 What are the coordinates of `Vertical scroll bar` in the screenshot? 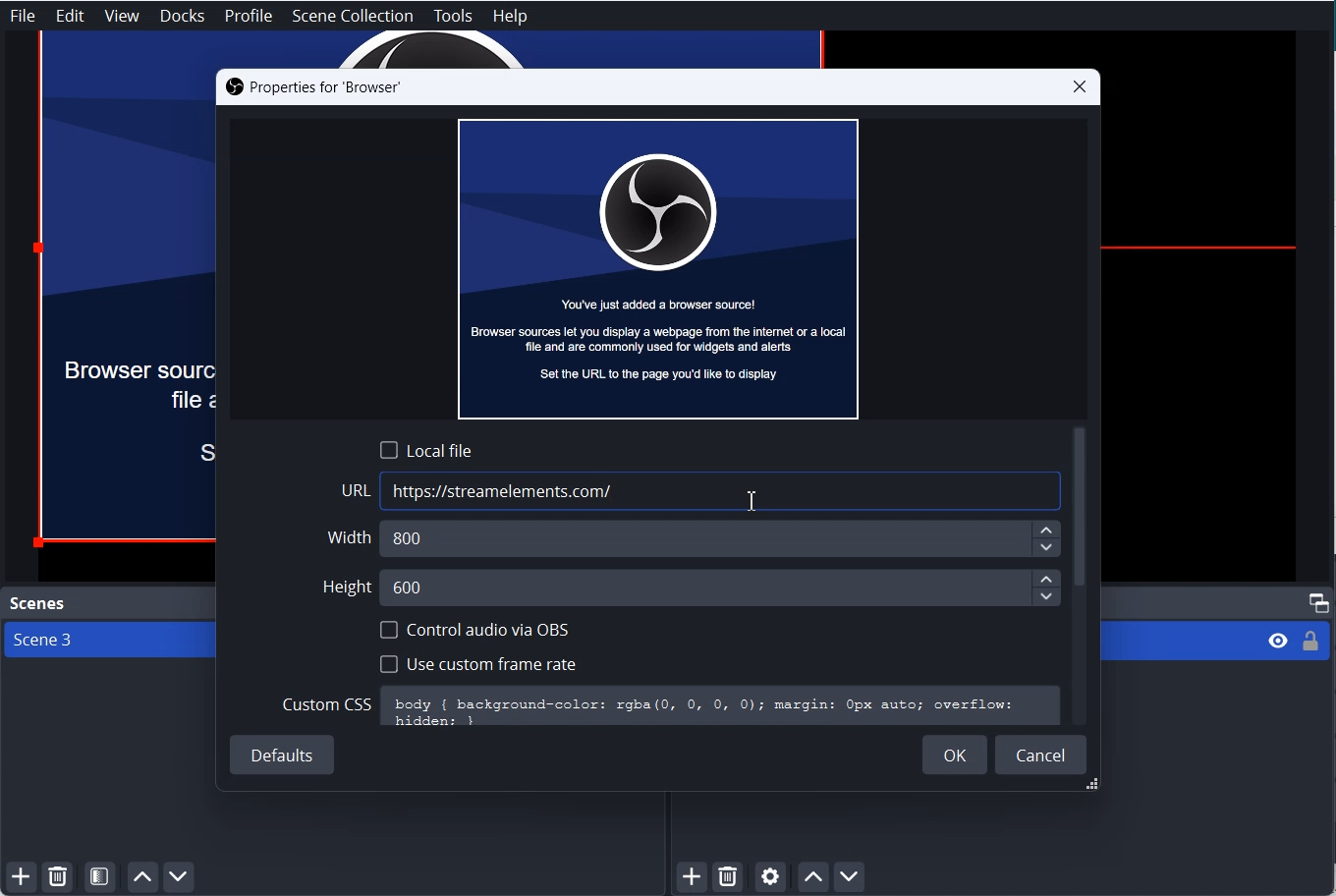 It's located at (1081, 509).